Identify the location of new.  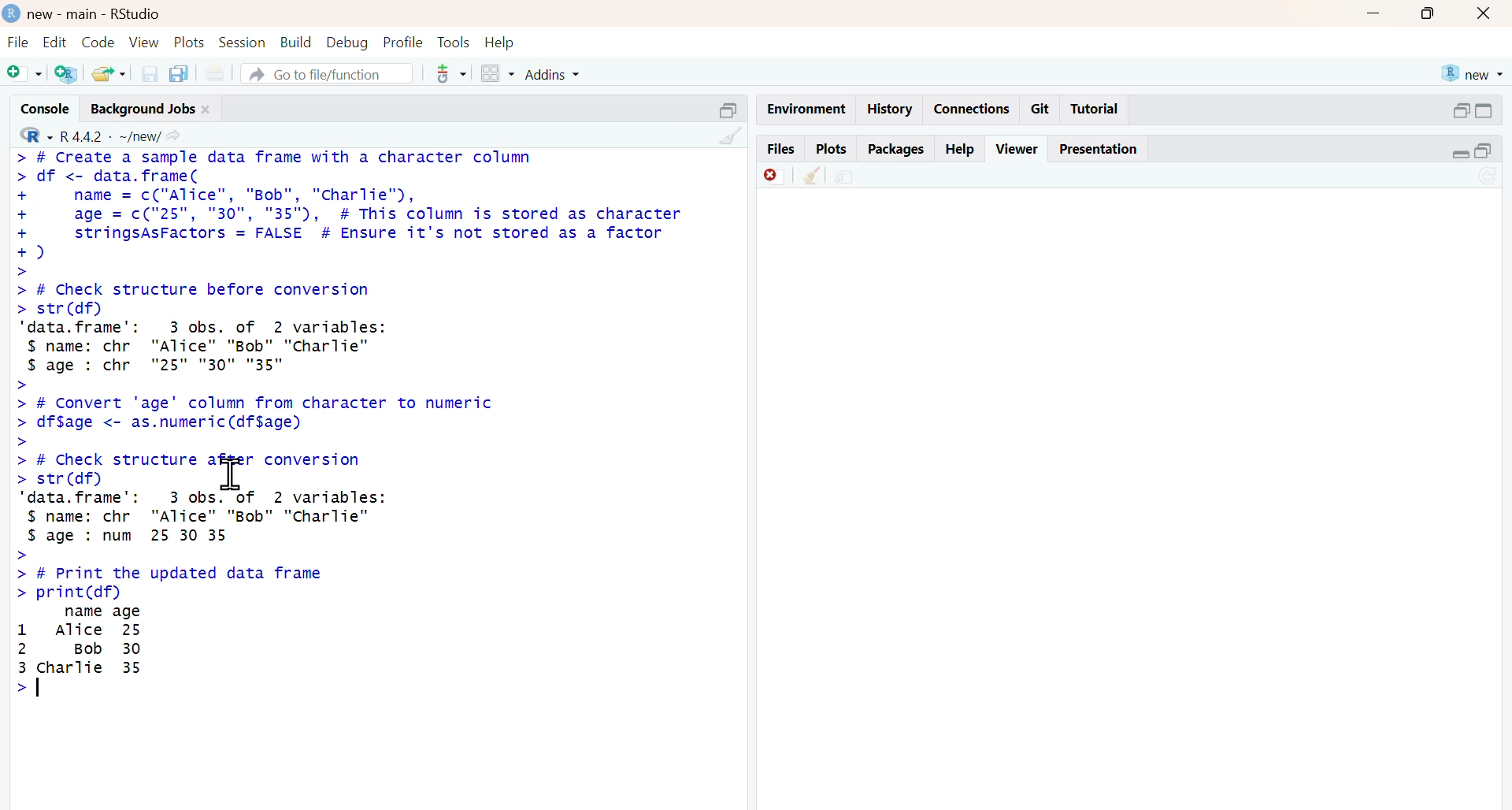
(1473, 73).